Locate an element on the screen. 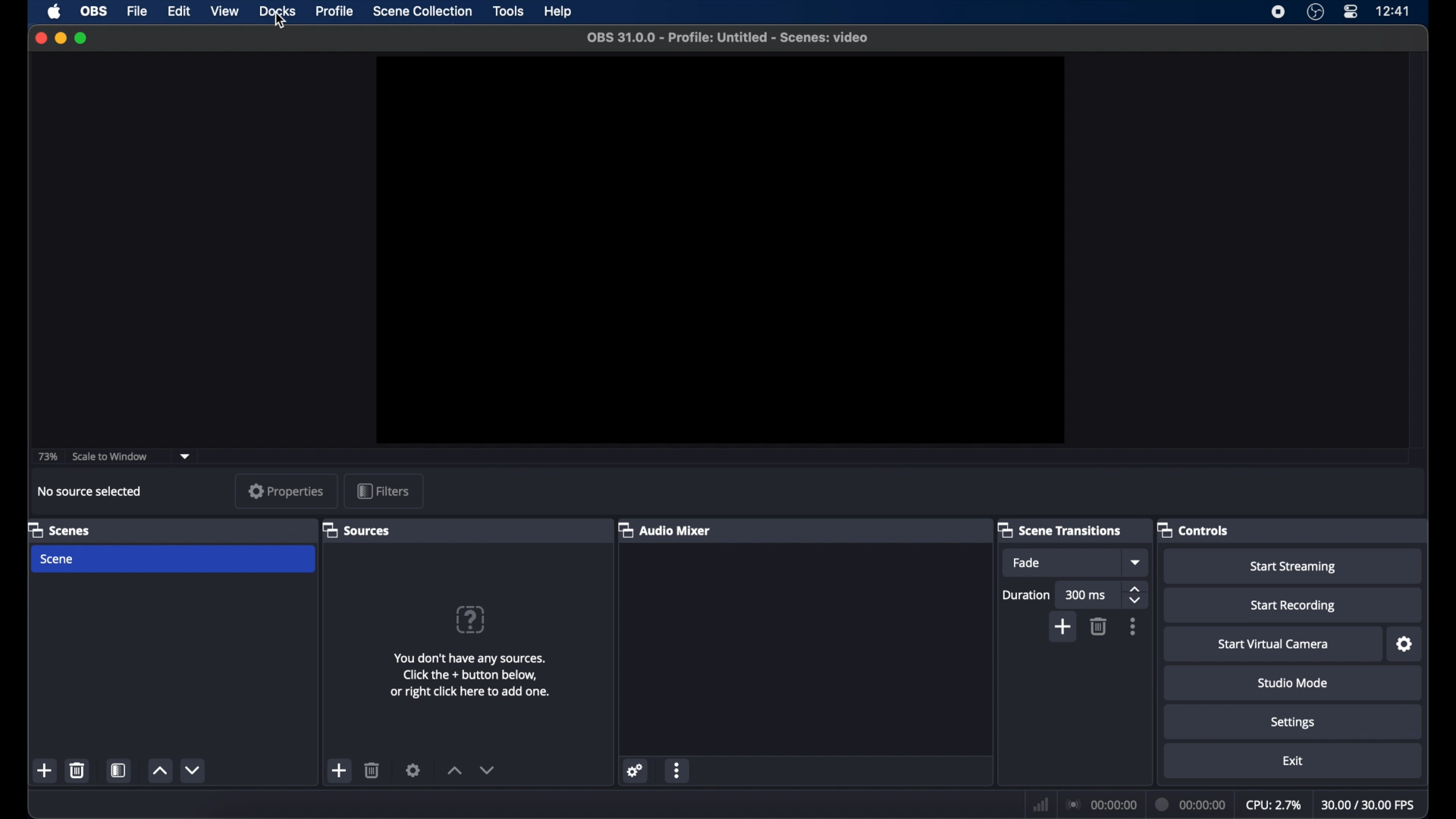 The width and height of the screenshot is (1456, 819). scene is located at coordinates (58, 559).